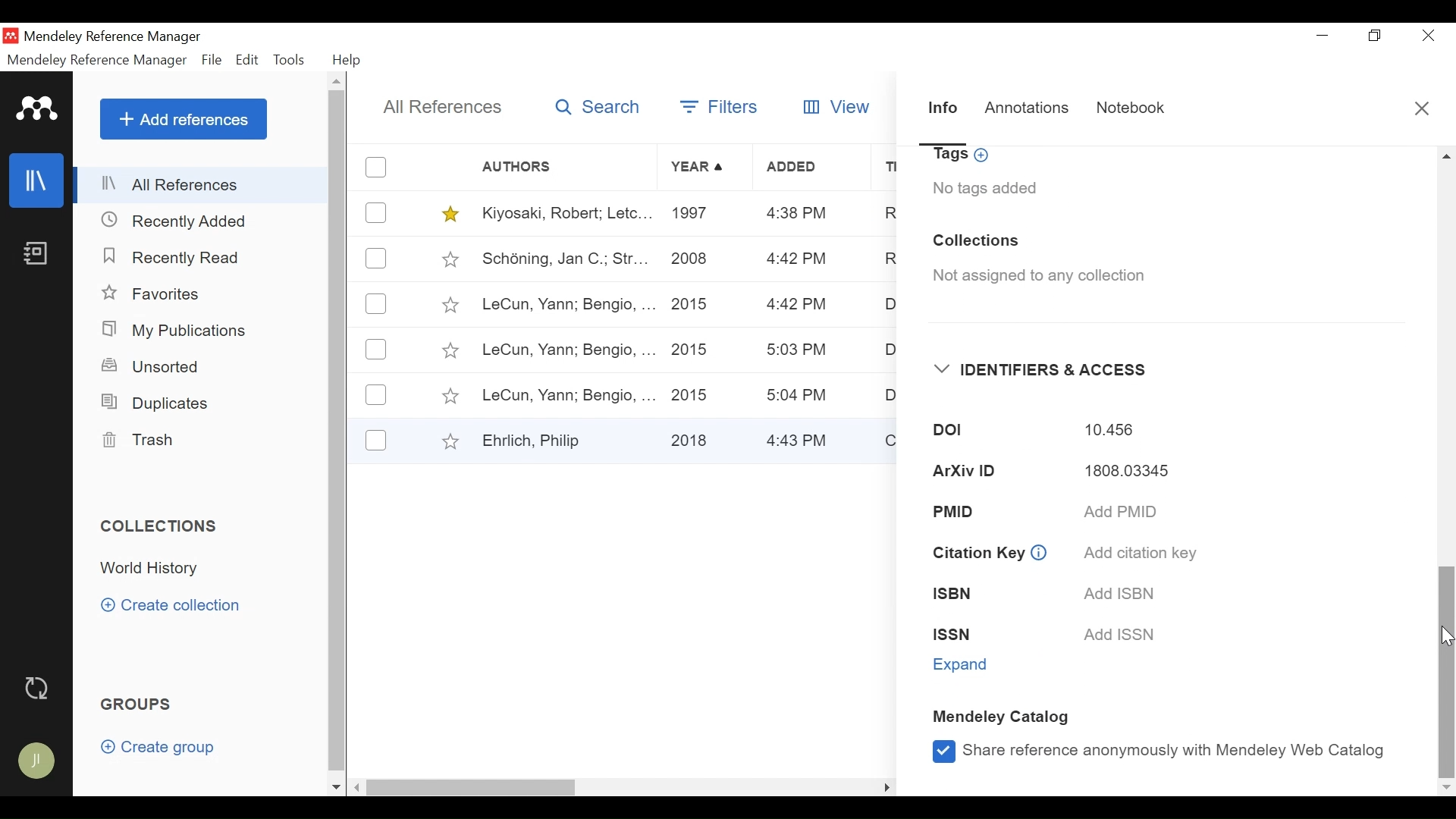  I want to click on Search, so click(595, 109).